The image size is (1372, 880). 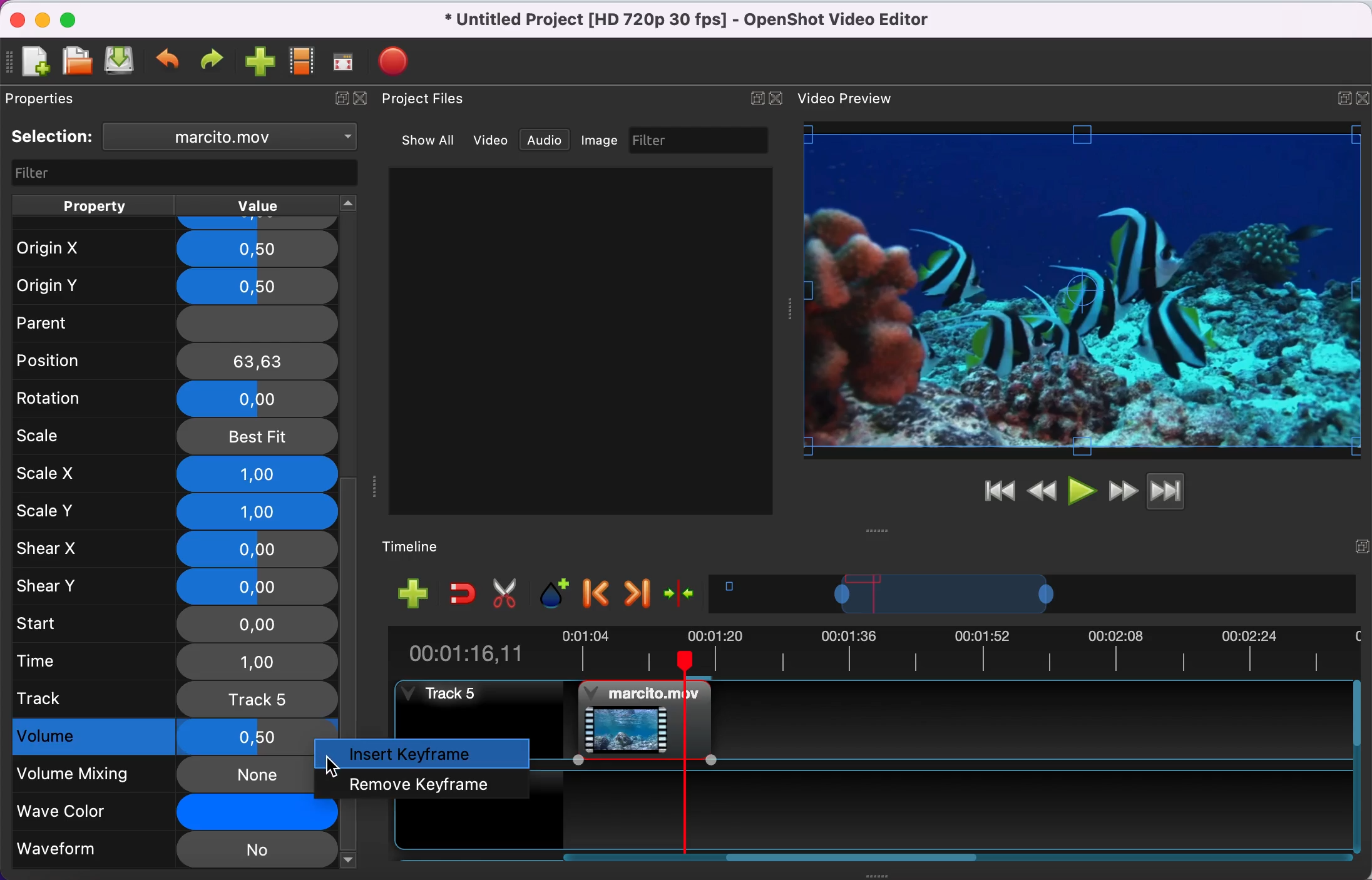 What do you see at coordinates (1036, 597) in the screenshot?
I see `timeline` at bounding box center [1036, 597].